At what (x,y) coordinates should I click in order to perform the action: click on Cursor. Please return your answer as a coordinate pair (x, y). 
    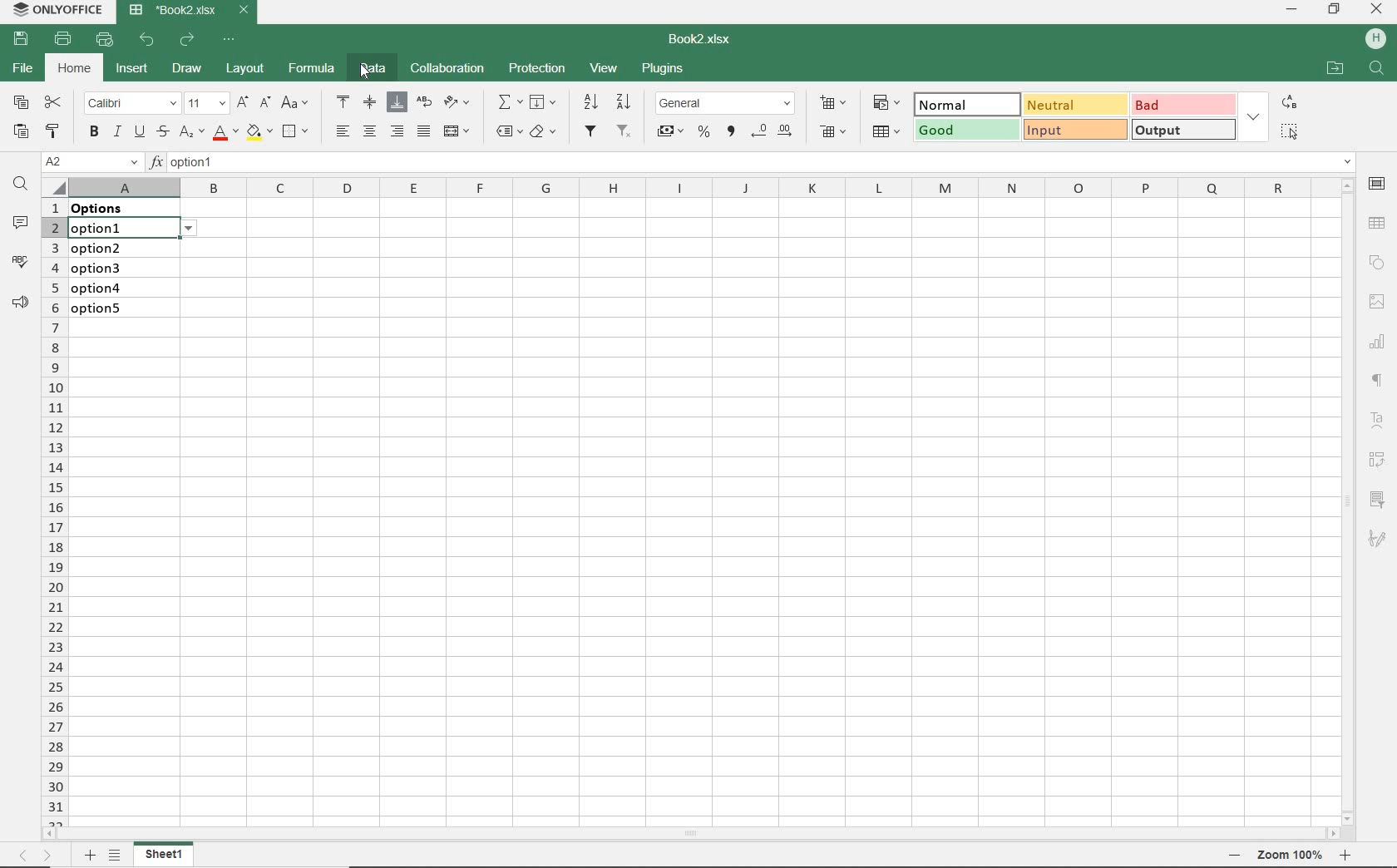
    Looking at the image, I should click on (368, 73).